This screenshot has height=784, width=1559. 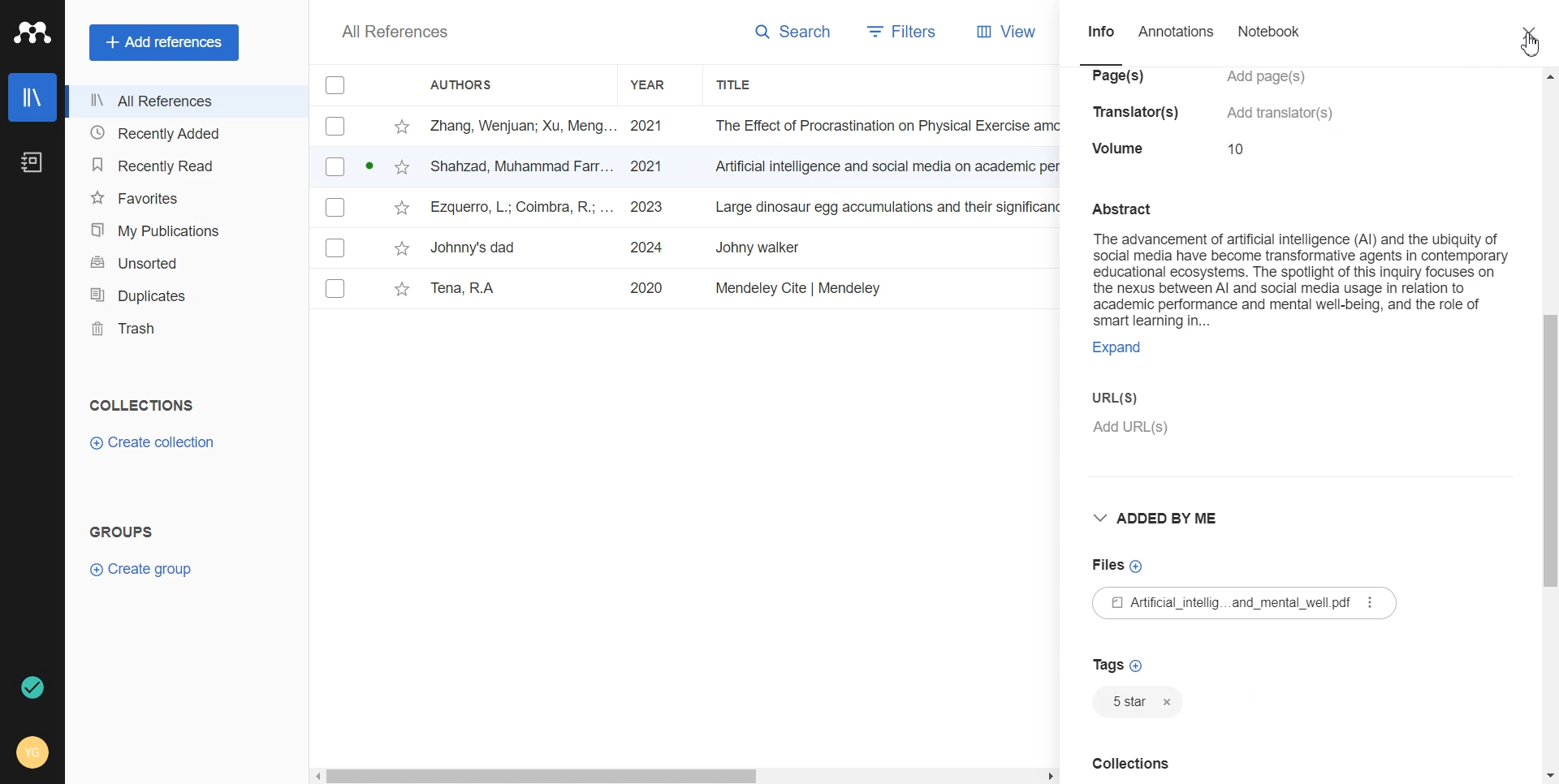 I want to click on Group, so click(x=122, y=531).